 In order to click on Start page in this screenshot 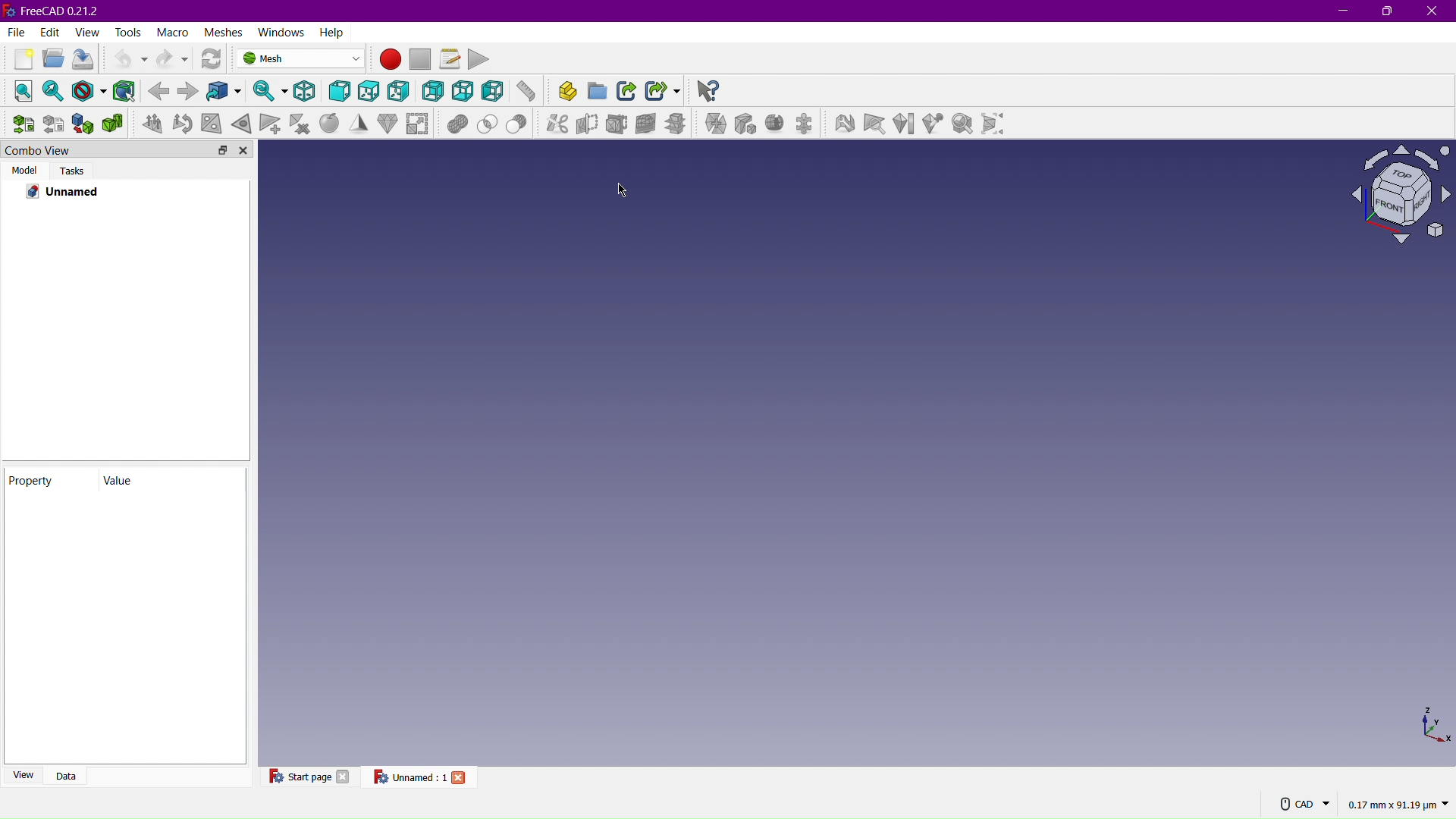, I will do `click(298, 776)`.